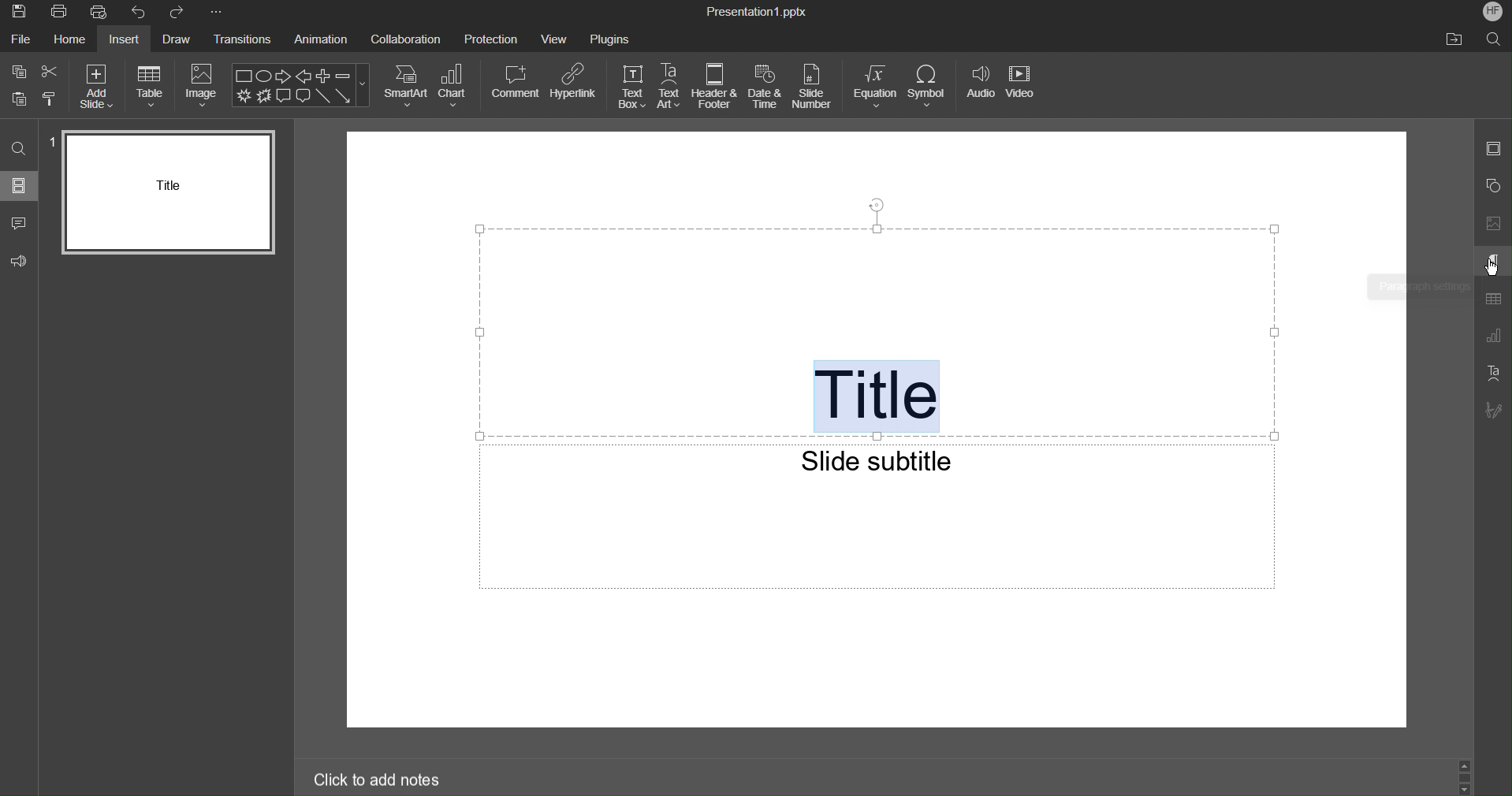  Describe the element at coordinates (457, 86) in the screenshot. I see `Chart` at that location.